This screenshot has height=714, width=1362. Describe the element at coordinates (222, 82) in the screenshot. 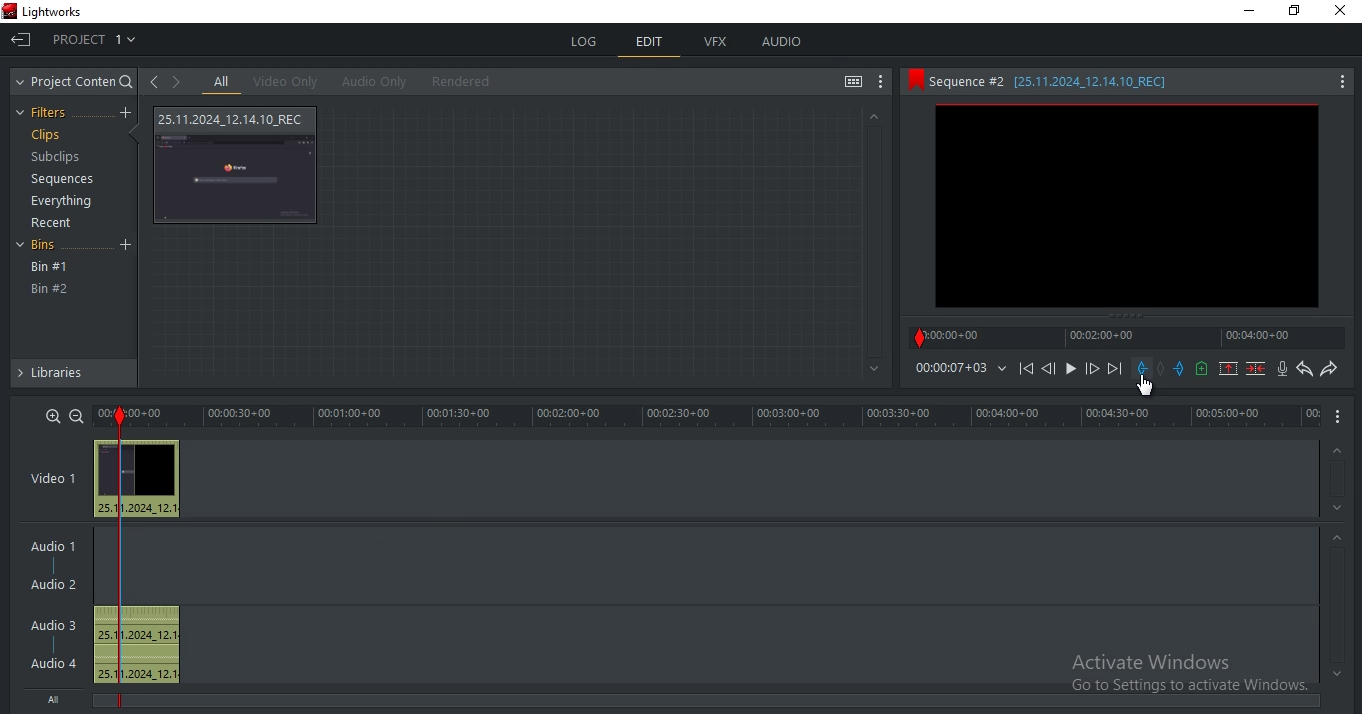

I see `all` at that location.